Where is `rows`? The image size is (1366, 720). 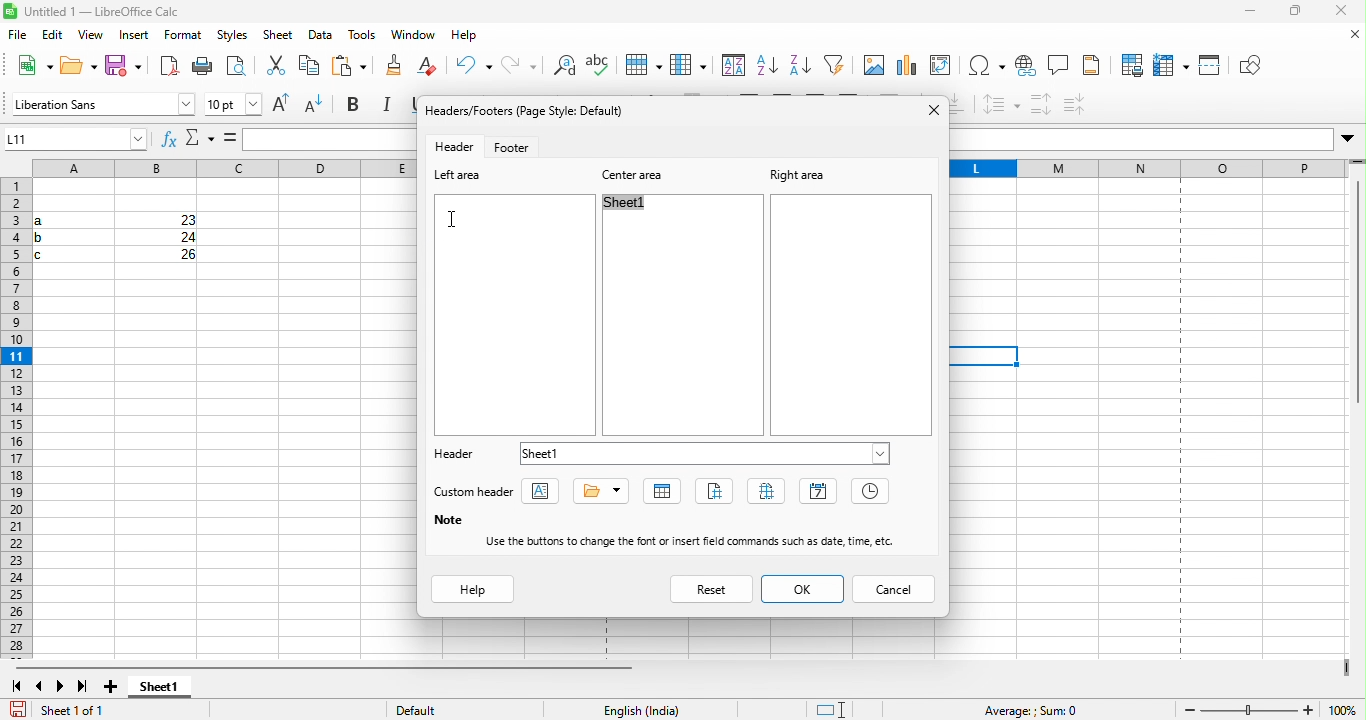 rows is located at coordinates (15, 419).